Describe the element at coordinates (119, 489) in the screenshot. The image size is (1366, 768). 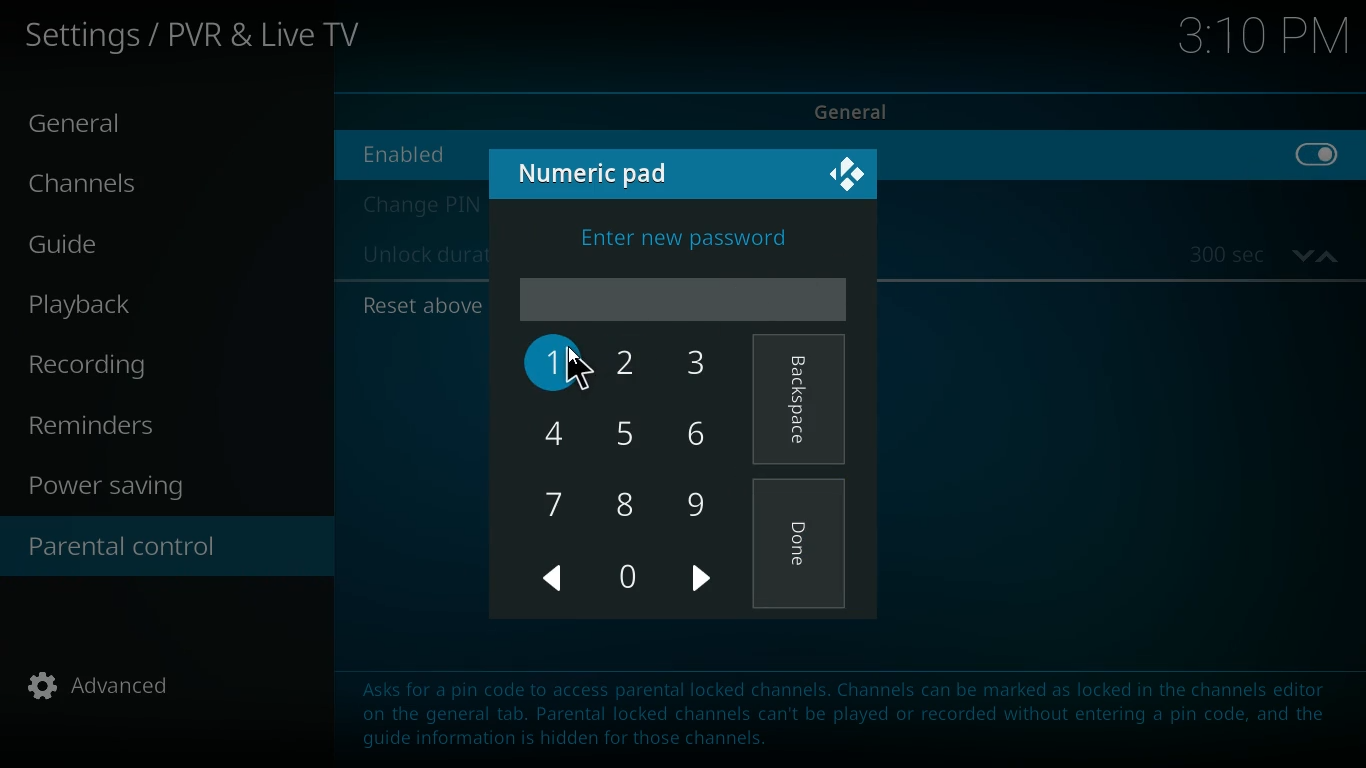
I see `power saving` at that location.